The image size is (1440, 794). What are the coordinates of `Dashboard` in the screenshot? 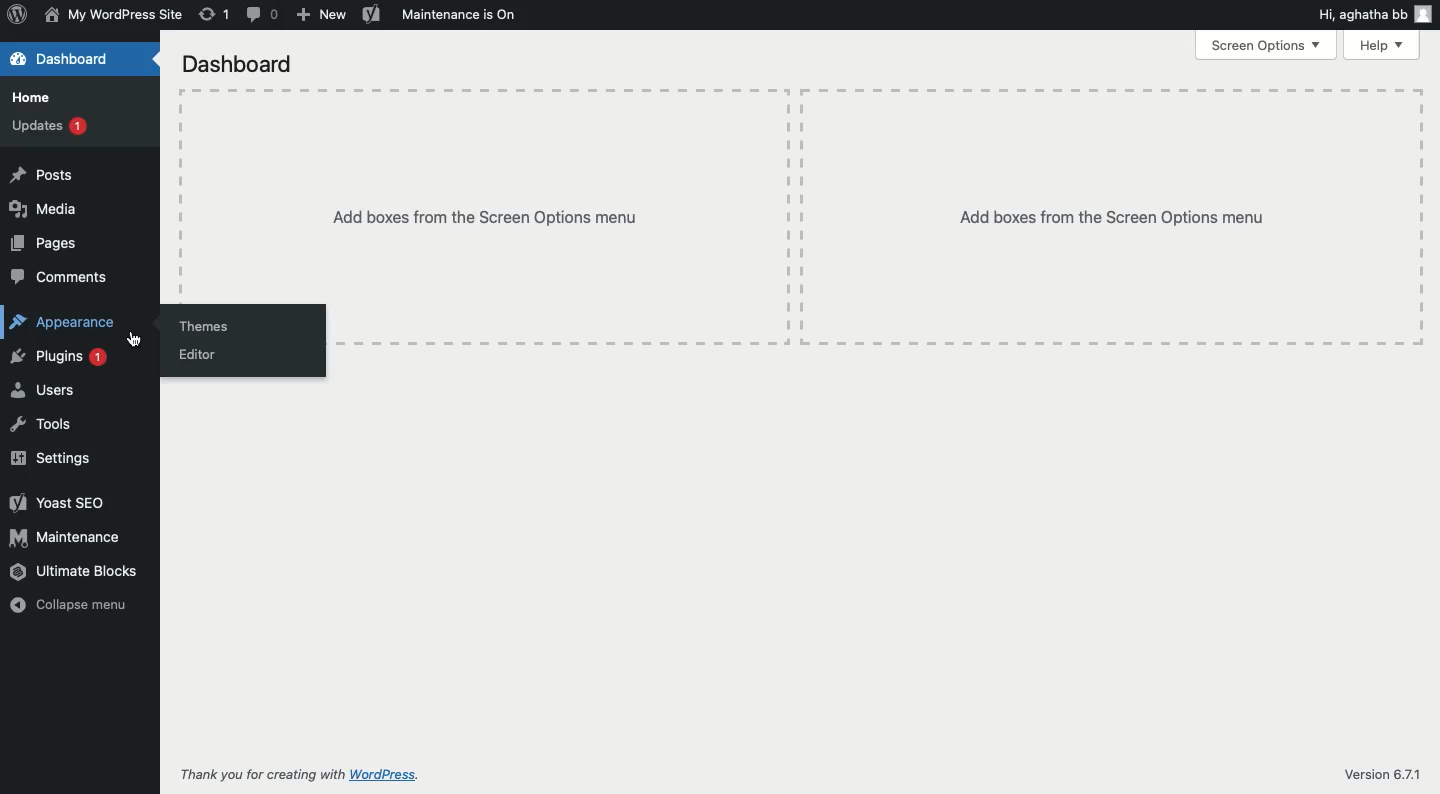 It's located at (61, 61).